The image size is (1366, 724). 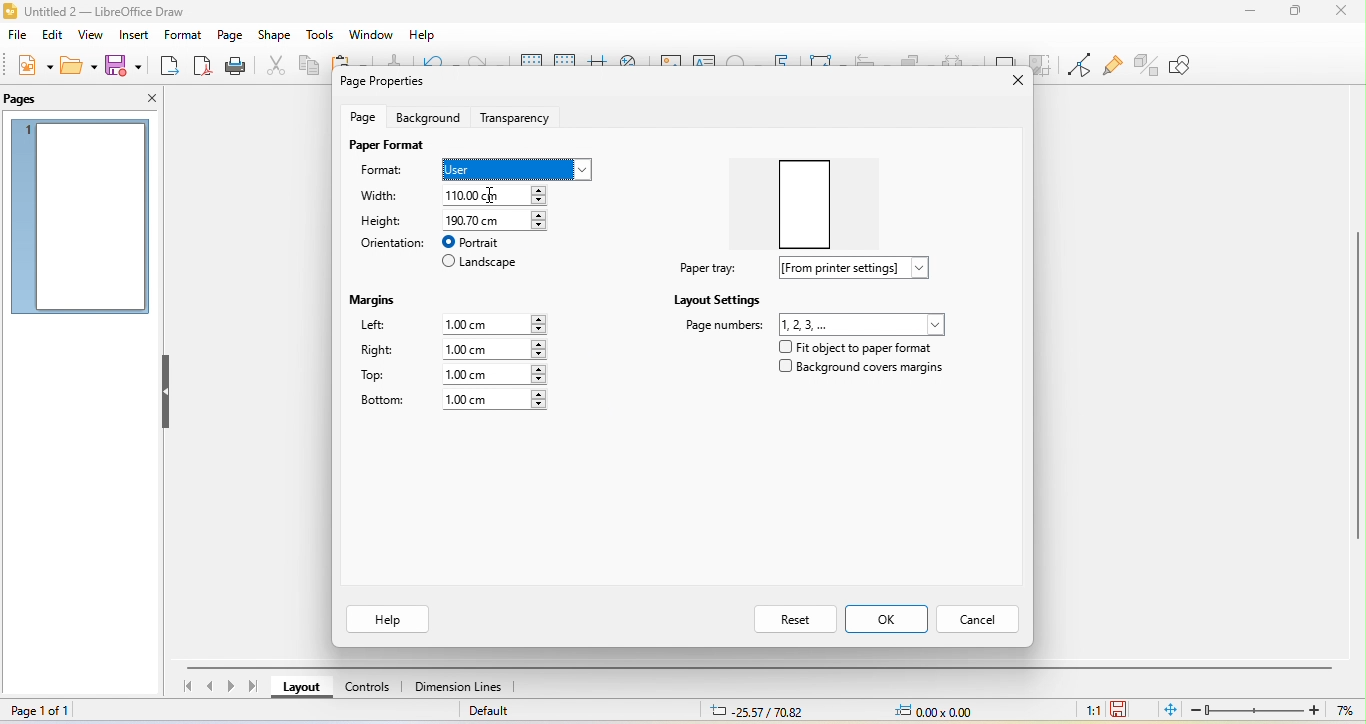 I want to click on 25.57/70.82, so click(x=757, y=711).